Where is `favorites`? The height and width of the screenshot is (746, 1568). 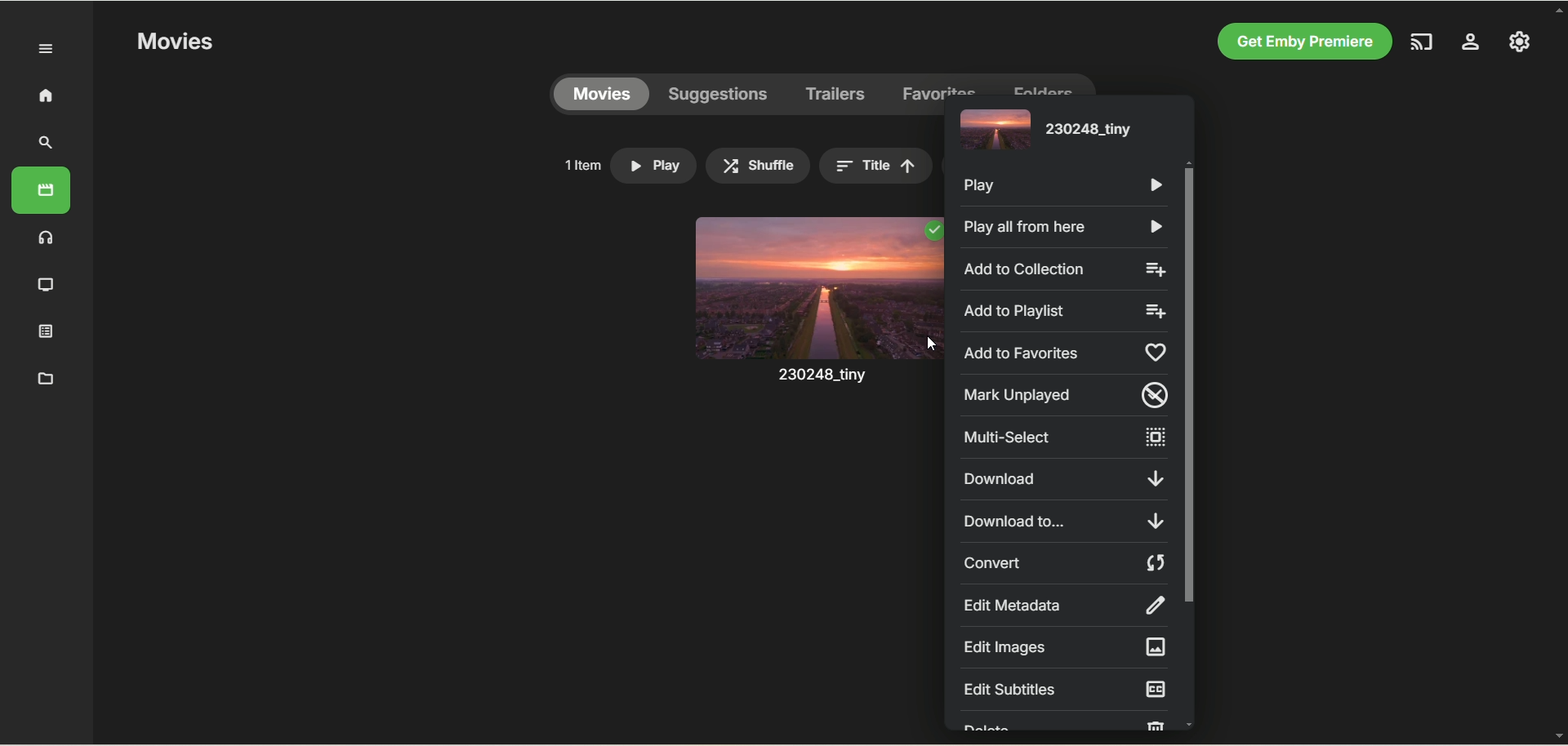 favorites is located at coordinates (940, 84).